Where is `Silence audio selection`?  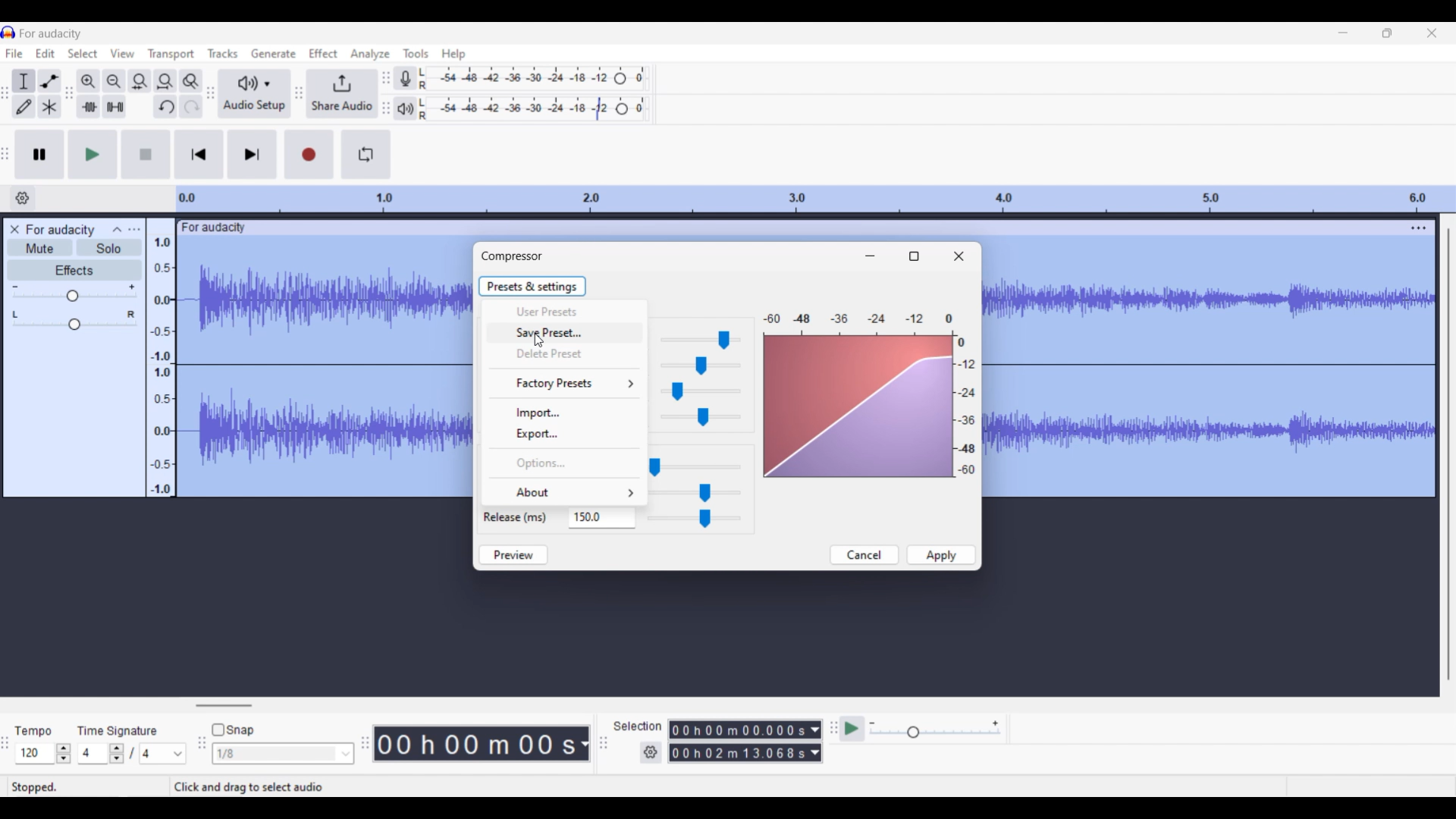
Silence audio selection is located at coordinates (115, 106).